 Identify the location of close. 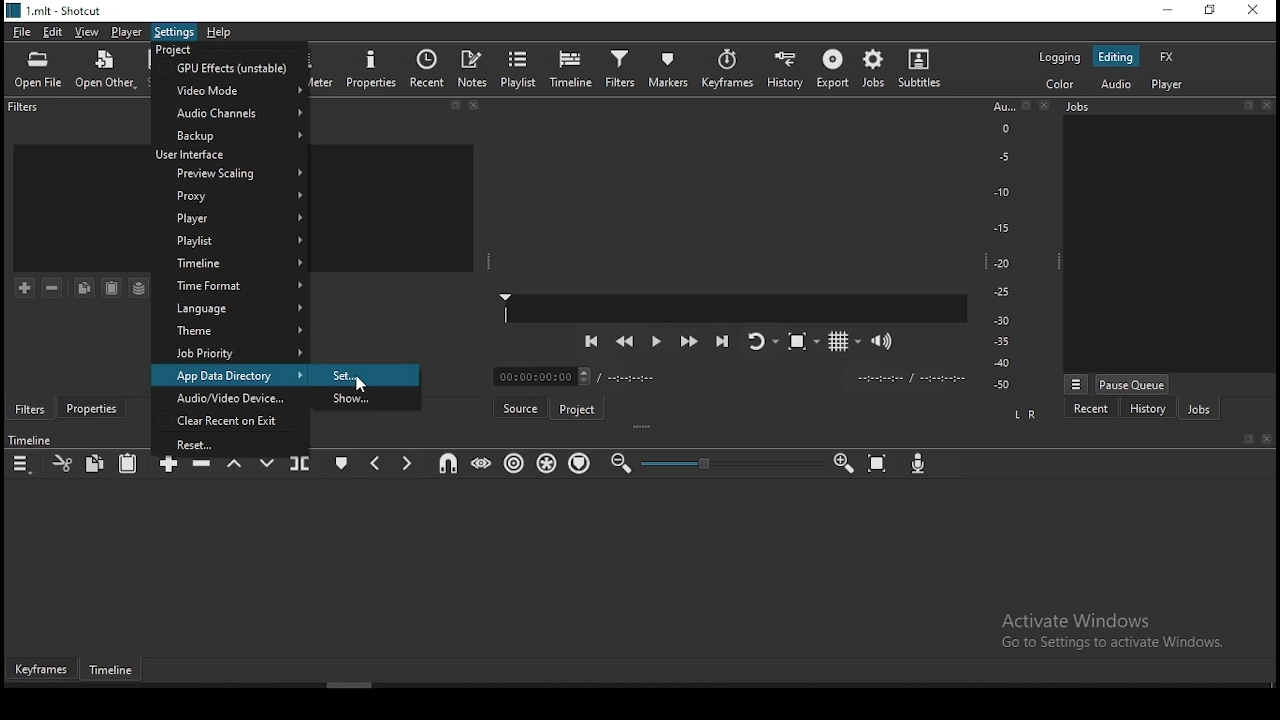
(1049, 106).